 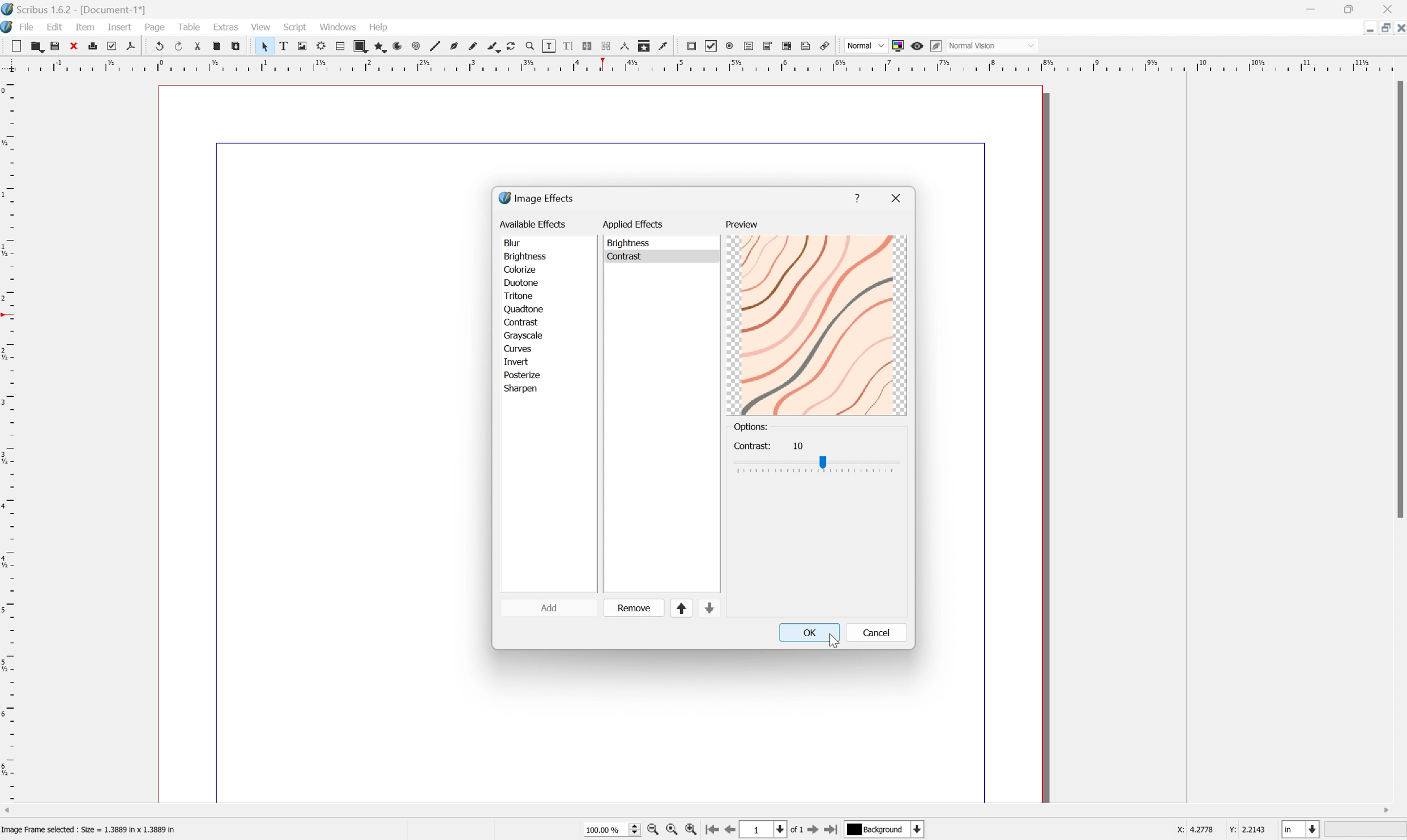 What do you see at coordinates (703, 808) in the screenshot?
I see `Scroll bar` at bounding box center [703, 808].